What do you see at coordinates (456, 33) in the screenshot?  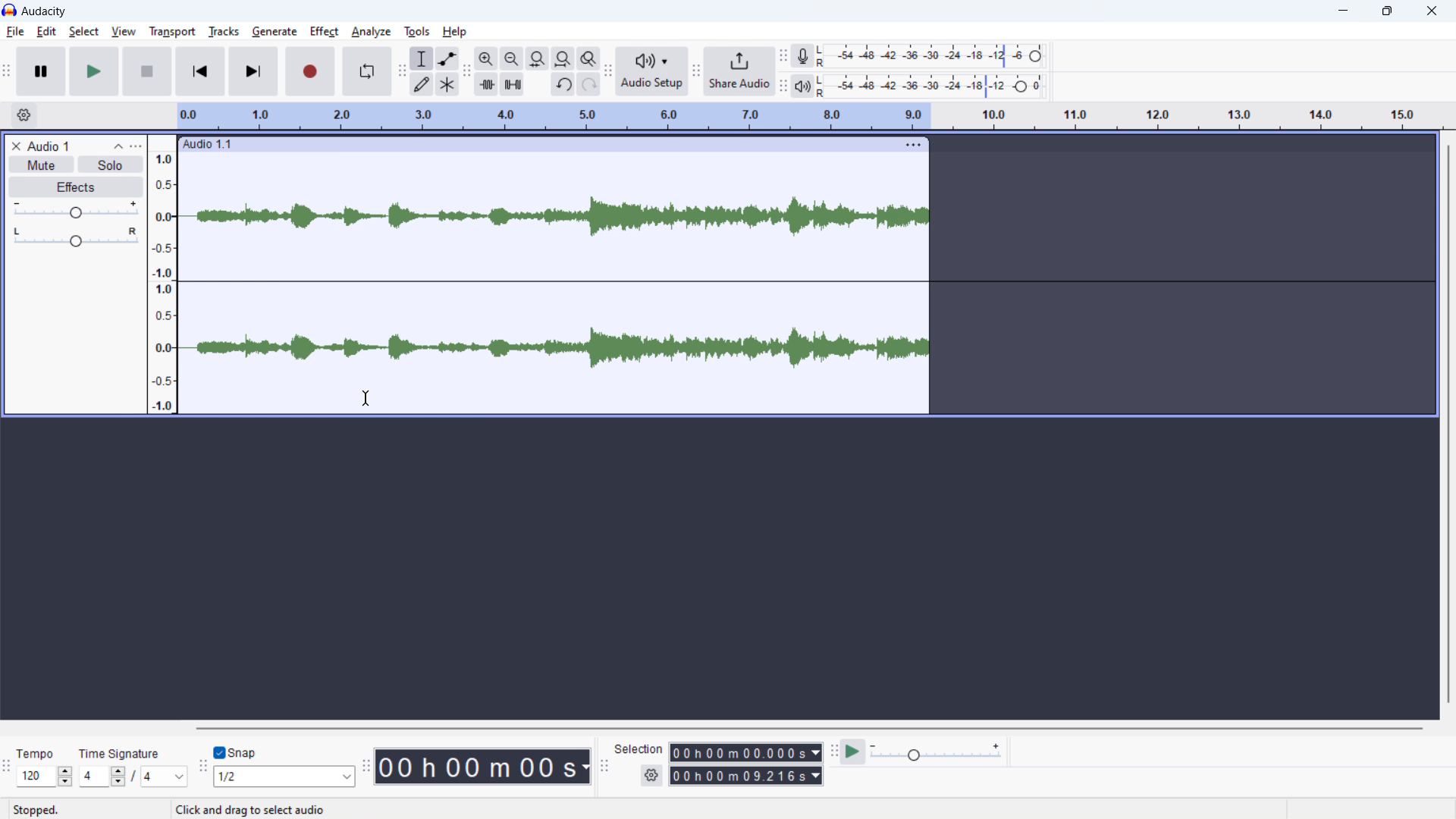 I see `help` at bounding box center [456, 33].